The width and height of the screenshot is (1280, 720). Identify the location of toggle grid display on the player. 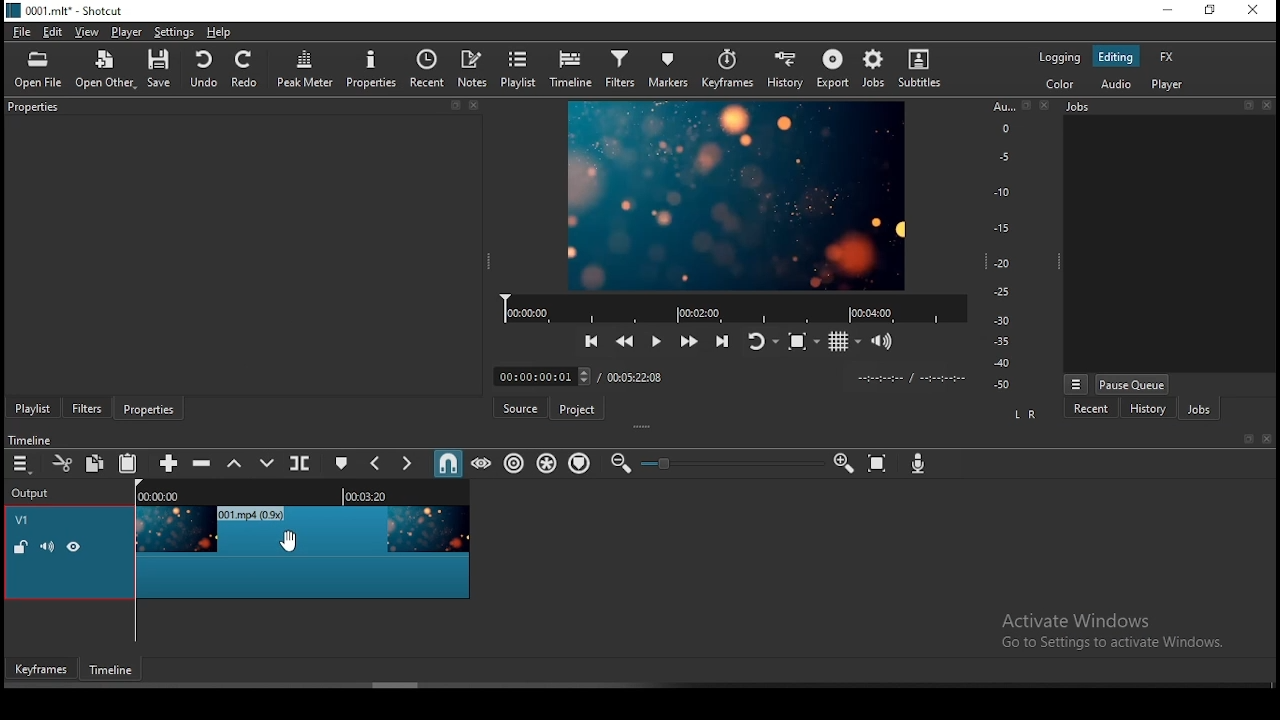
(845, 342).